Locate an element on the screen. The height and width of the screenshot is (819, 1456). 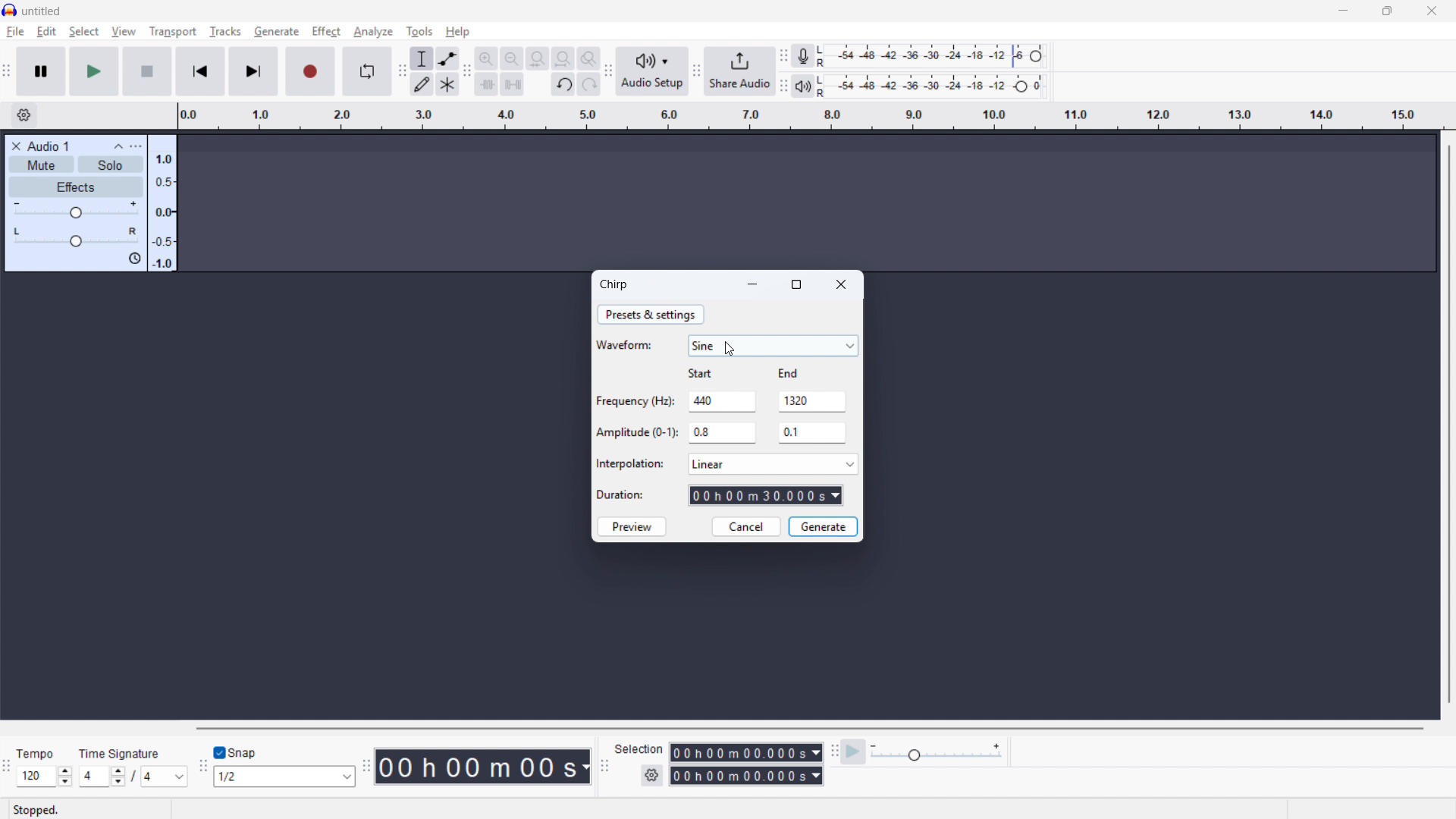
stop  is located at coordinates (147, 71).